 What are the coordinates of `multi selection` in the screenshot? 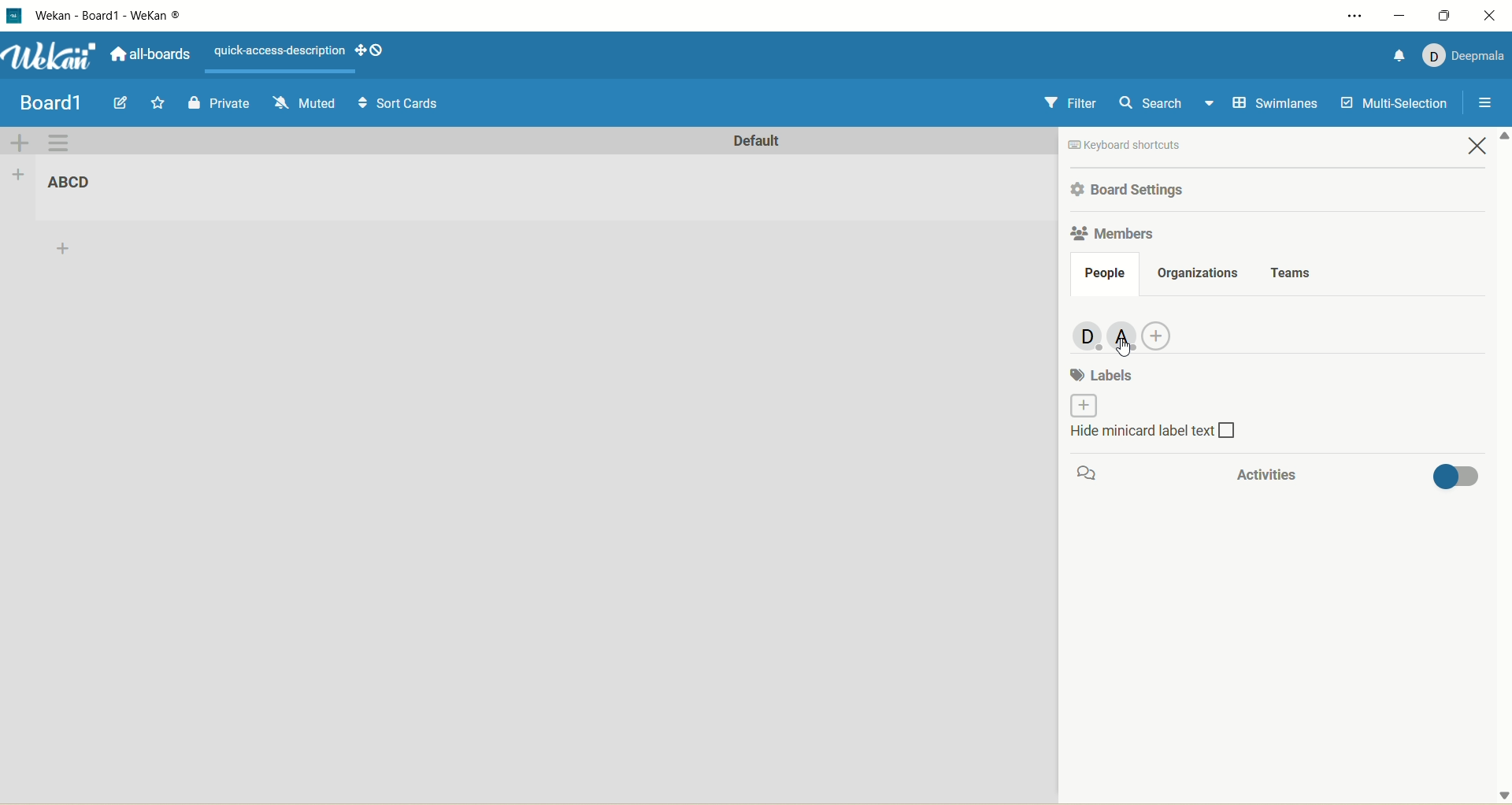 It's located at (1397, 102).